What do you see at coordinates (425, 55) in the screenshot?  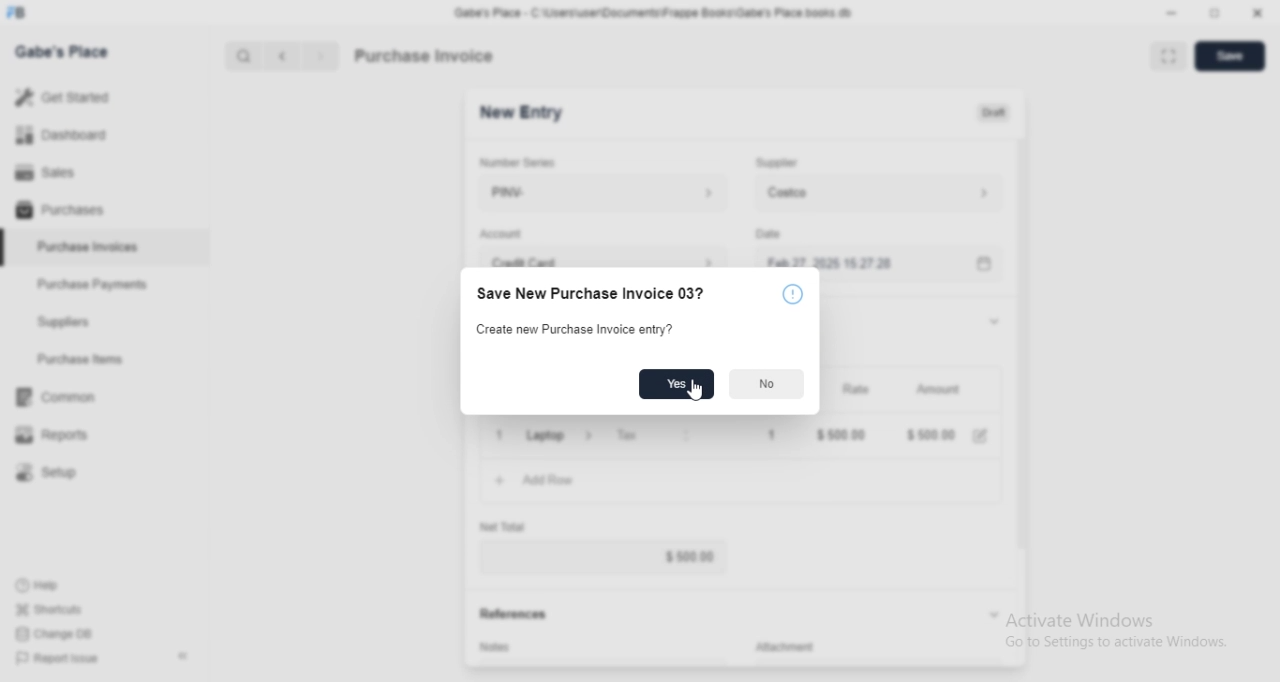 I see `Purchase Invoice` at bounding box center [425, 55].